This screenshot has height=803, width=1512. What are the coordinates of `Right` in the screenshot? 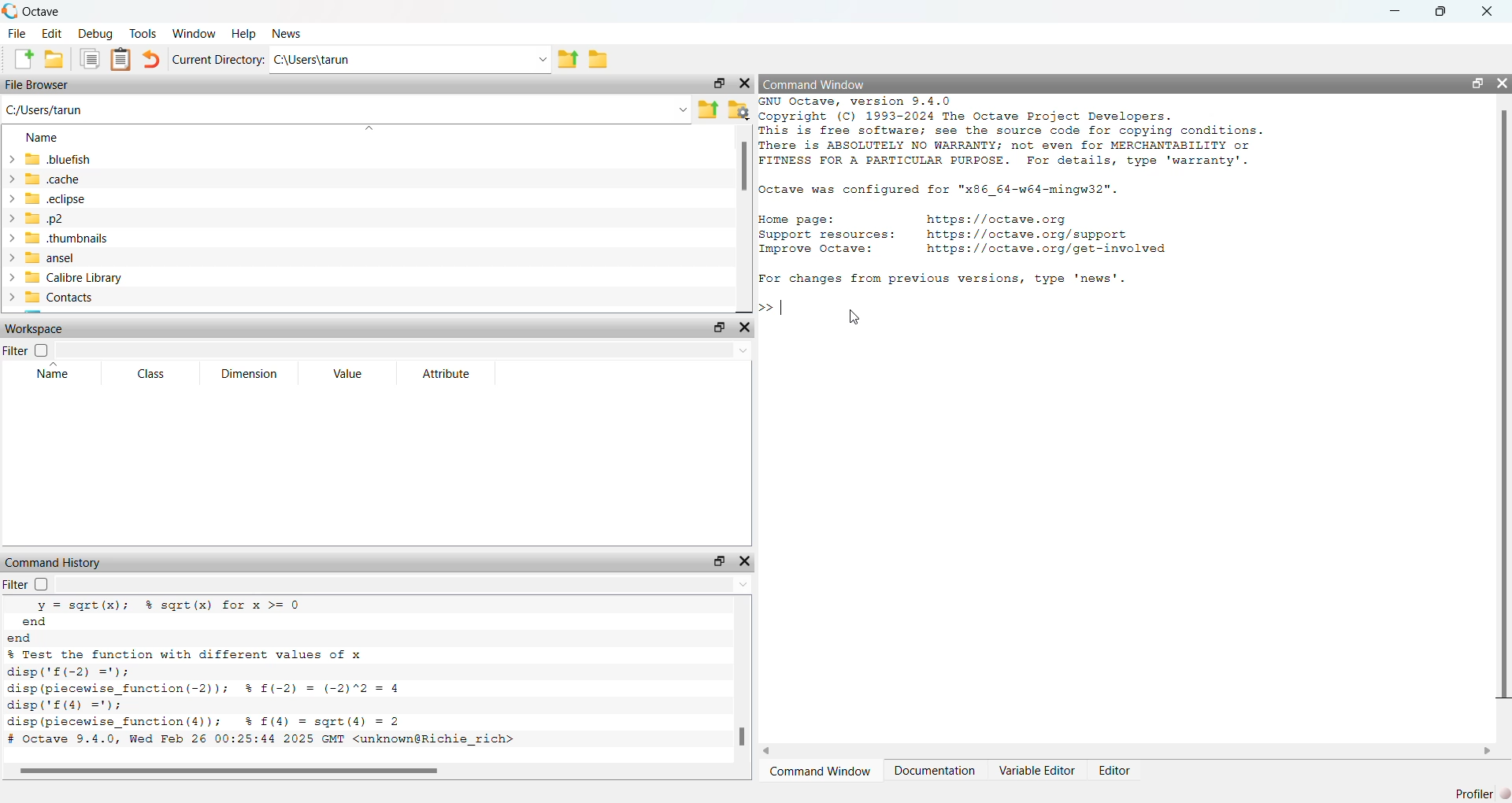 It's located at (1488, 749).